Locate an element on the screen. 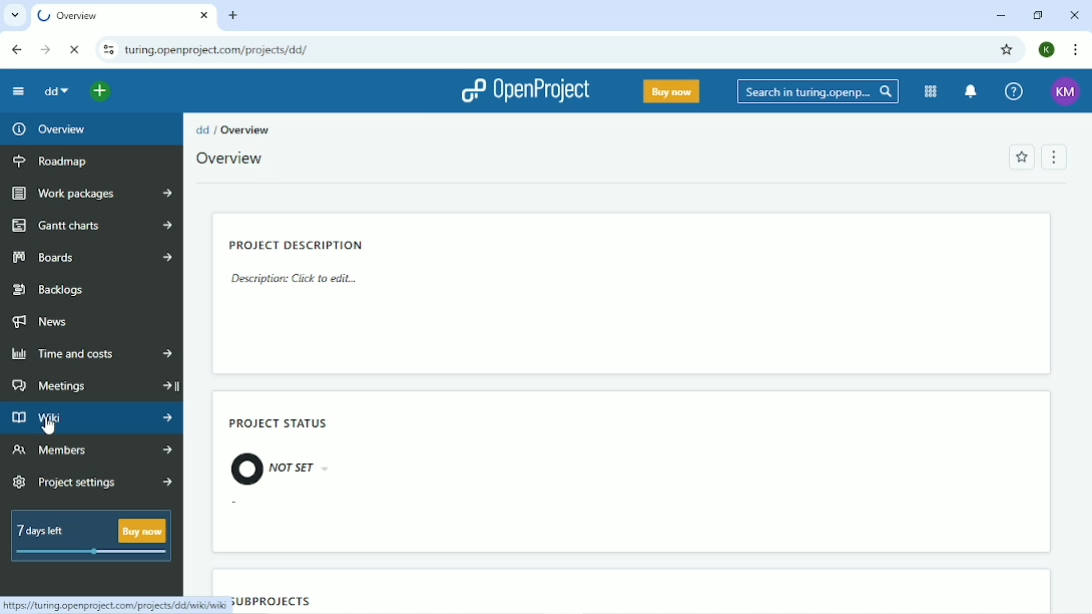 The image size is (1092, 614). Roadmap is located at coordinates (53, 160).